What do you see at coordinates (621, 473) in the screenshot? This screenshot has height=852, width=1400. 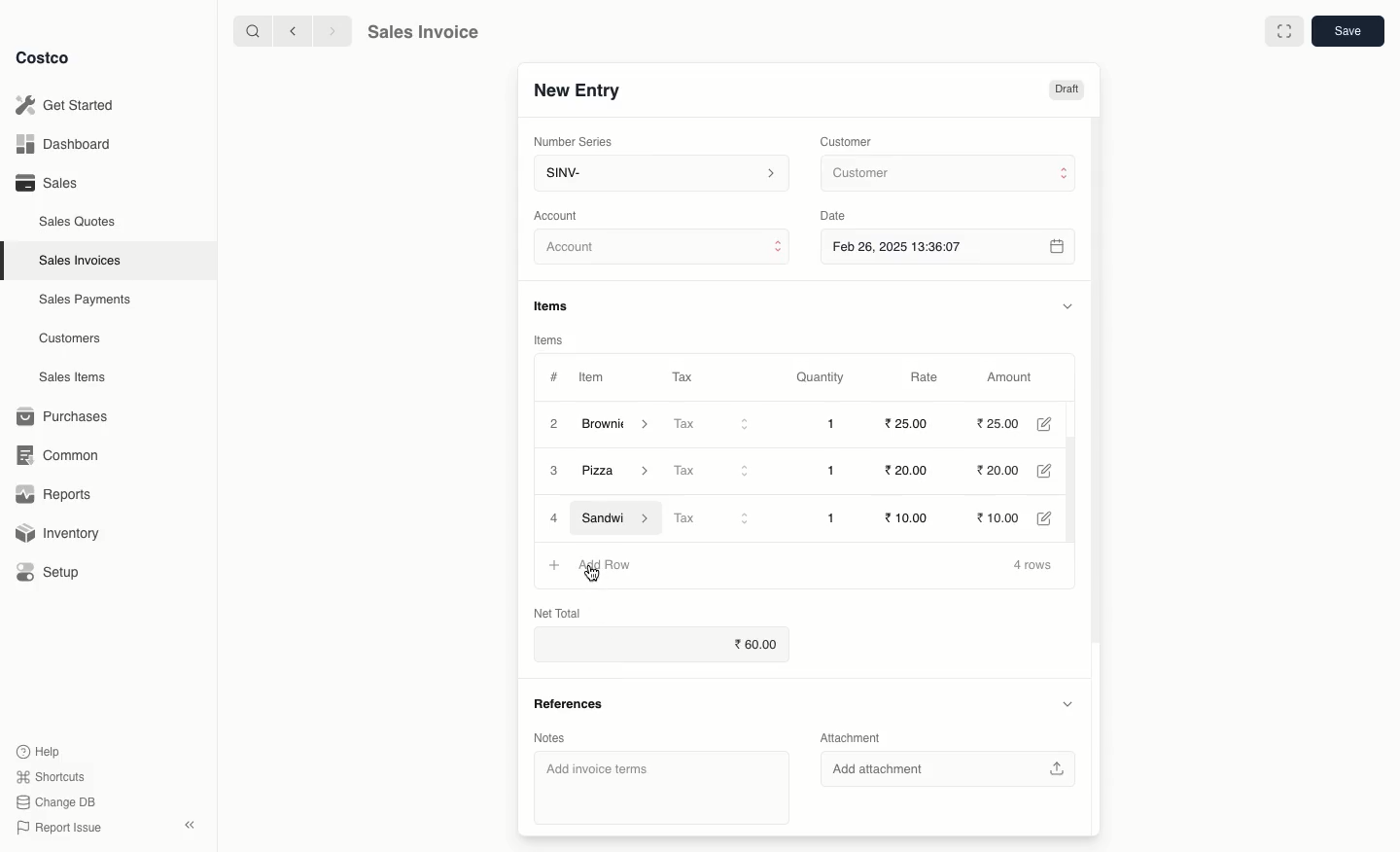 I see `Brownie` at bounding box center [621, 473].